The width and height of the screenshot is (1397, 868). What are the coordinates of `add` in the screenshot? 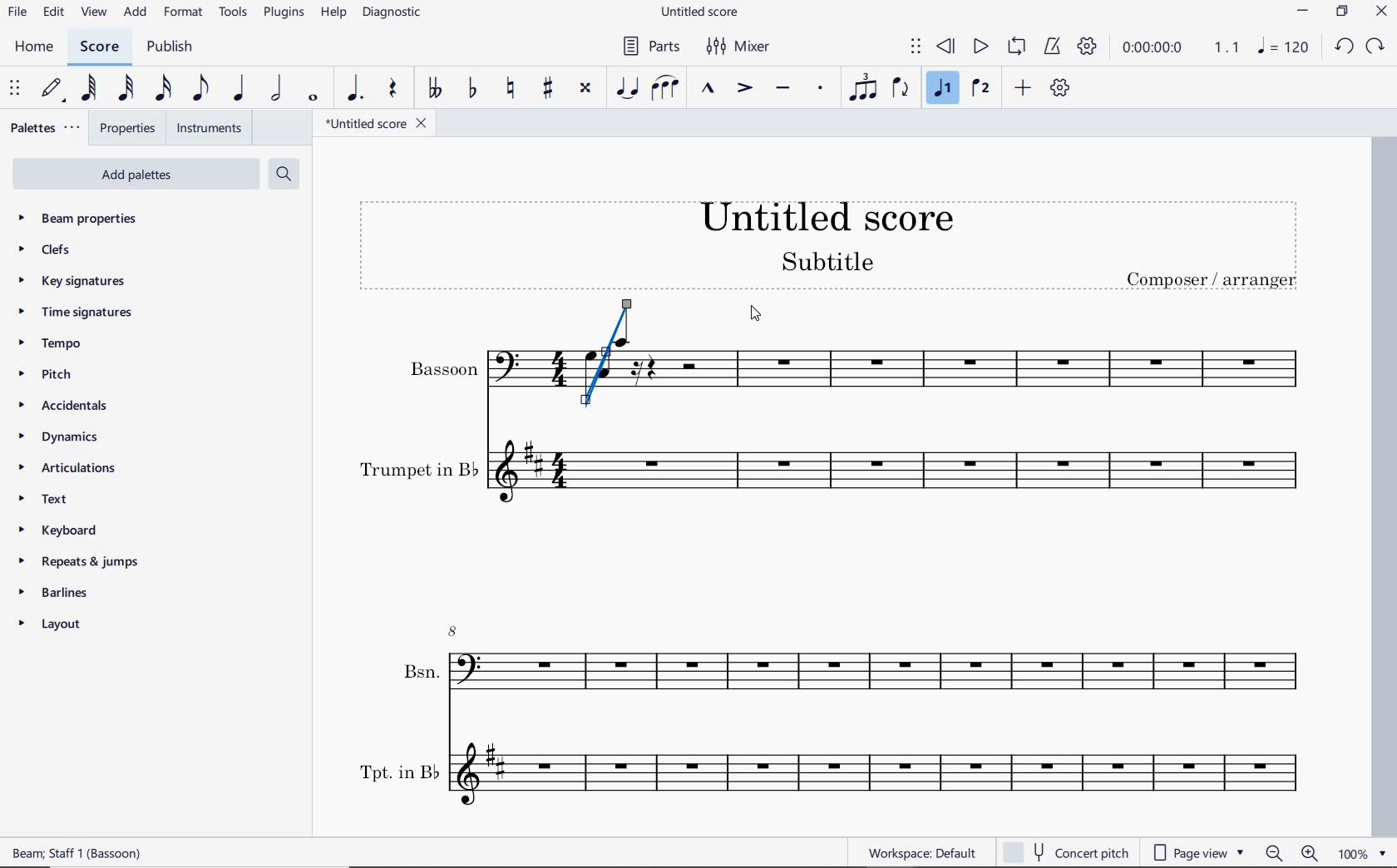 It's located at (1023, 89).